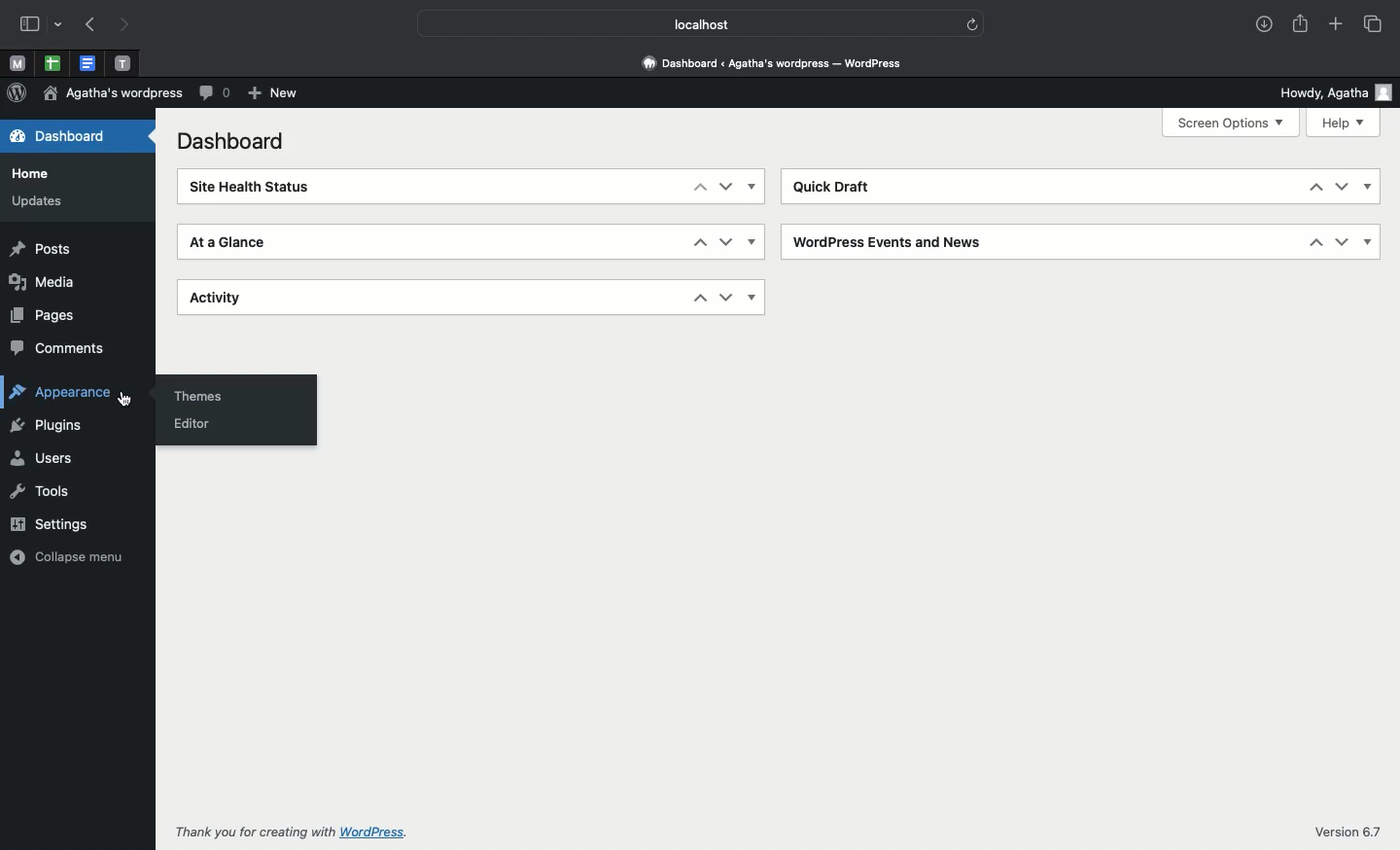 This screenshot has height=850, width=1400. I want to click on Wordpress name, so click(113, 92).